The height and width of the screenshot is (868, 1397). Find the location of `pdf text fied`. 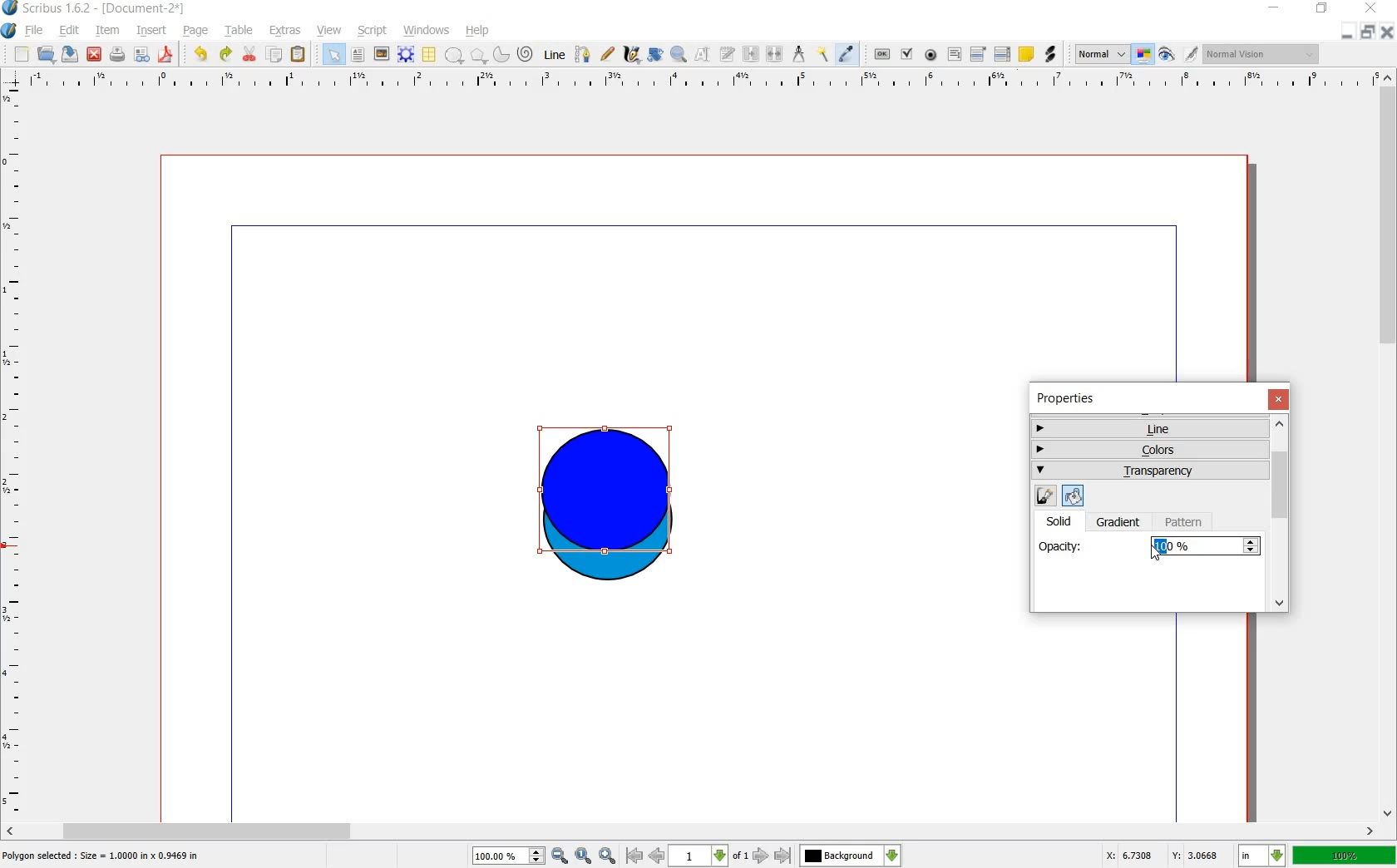

pdf text fied is located at coordinates (955, 53).